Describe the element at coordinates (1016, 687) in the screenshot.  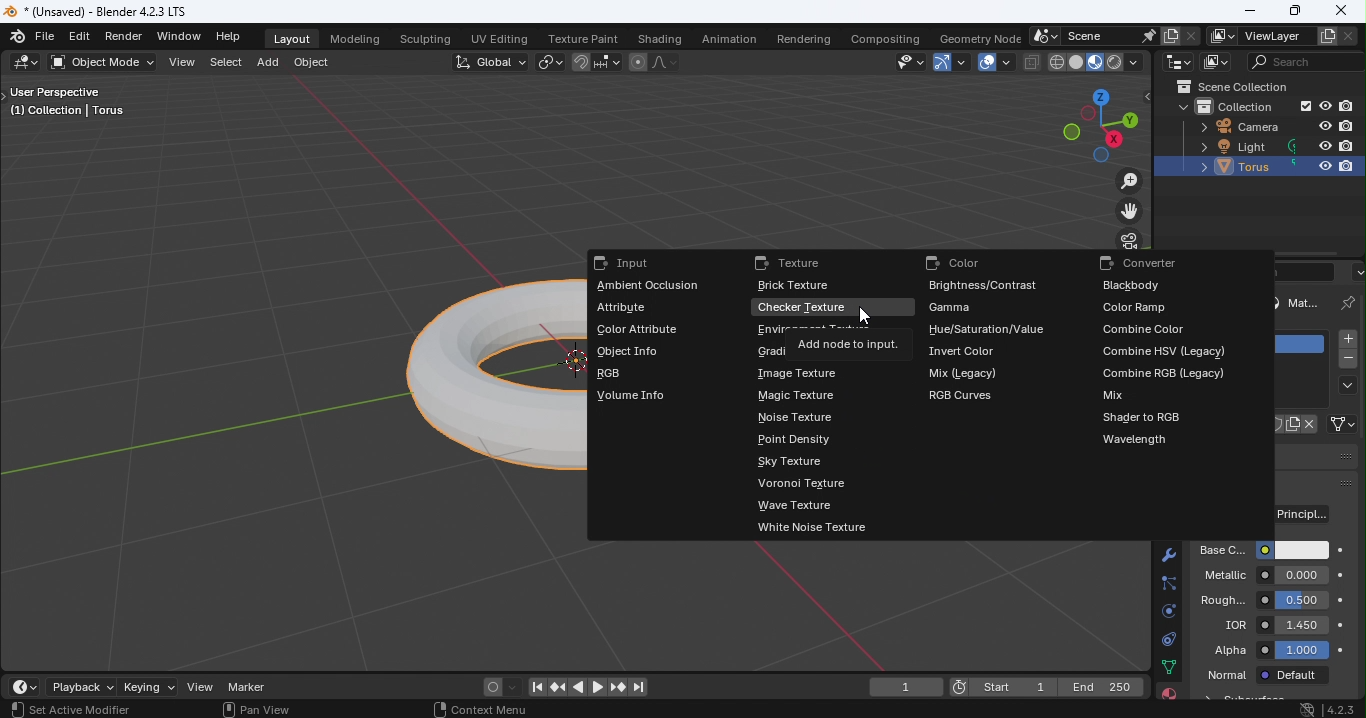
I see `Start 1` at that location.